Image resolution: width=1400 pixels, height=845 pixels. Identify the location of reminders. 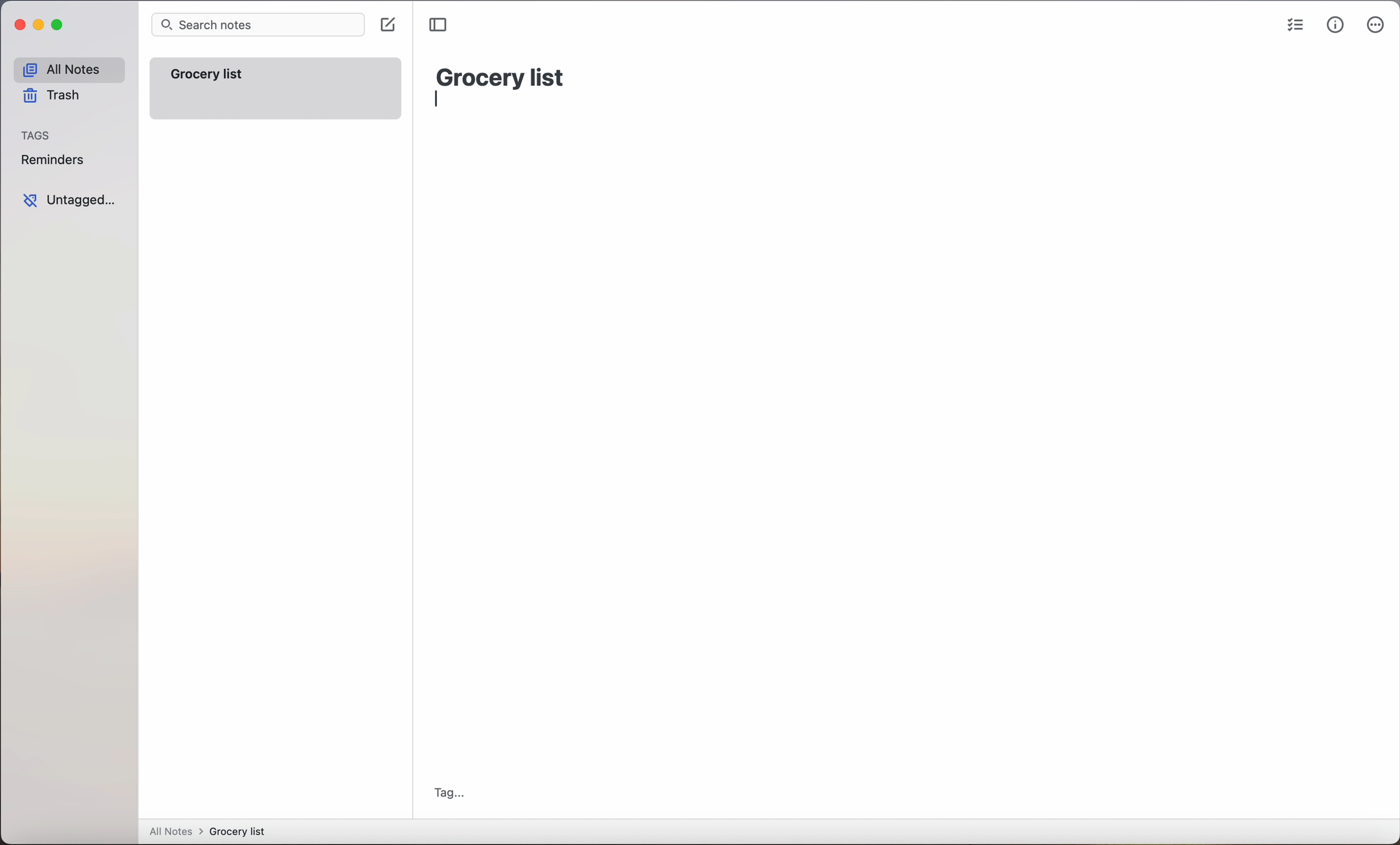
(52, 162).